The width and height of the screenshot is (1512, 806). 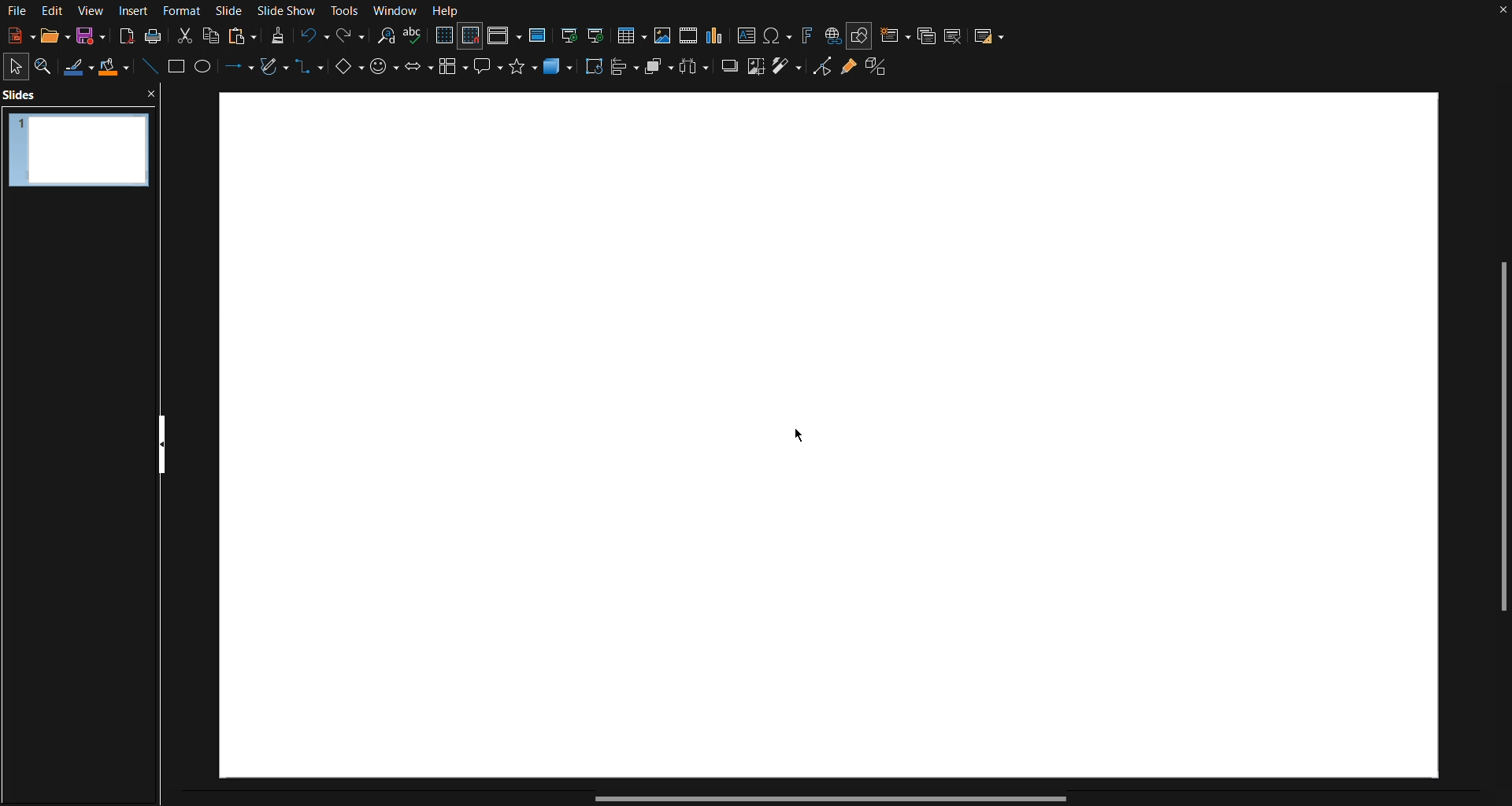 I want to click on Insert Image, so click(x=665, y=34).